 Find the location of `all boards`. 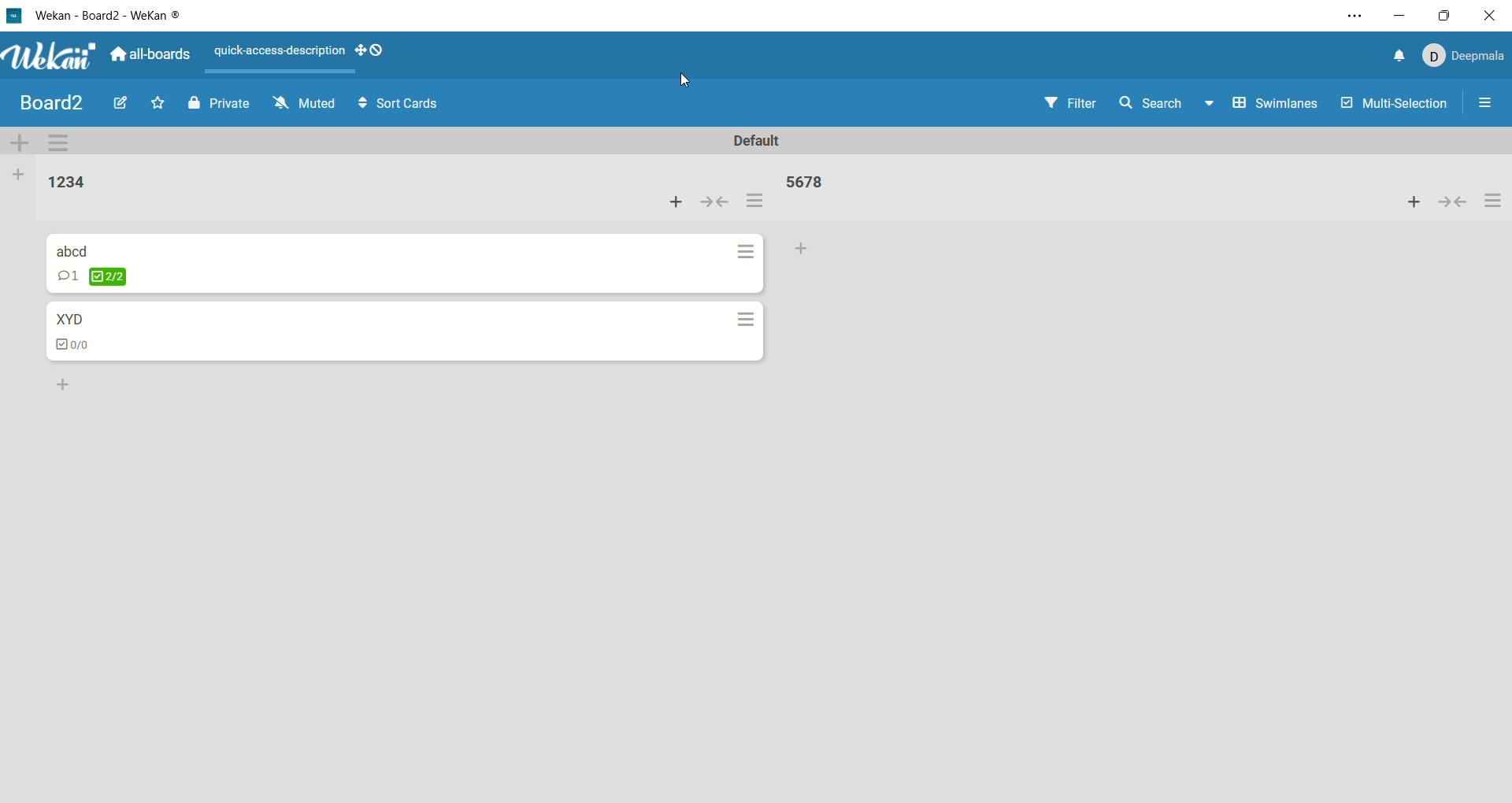

all boards is located at coordinates (157, 56).